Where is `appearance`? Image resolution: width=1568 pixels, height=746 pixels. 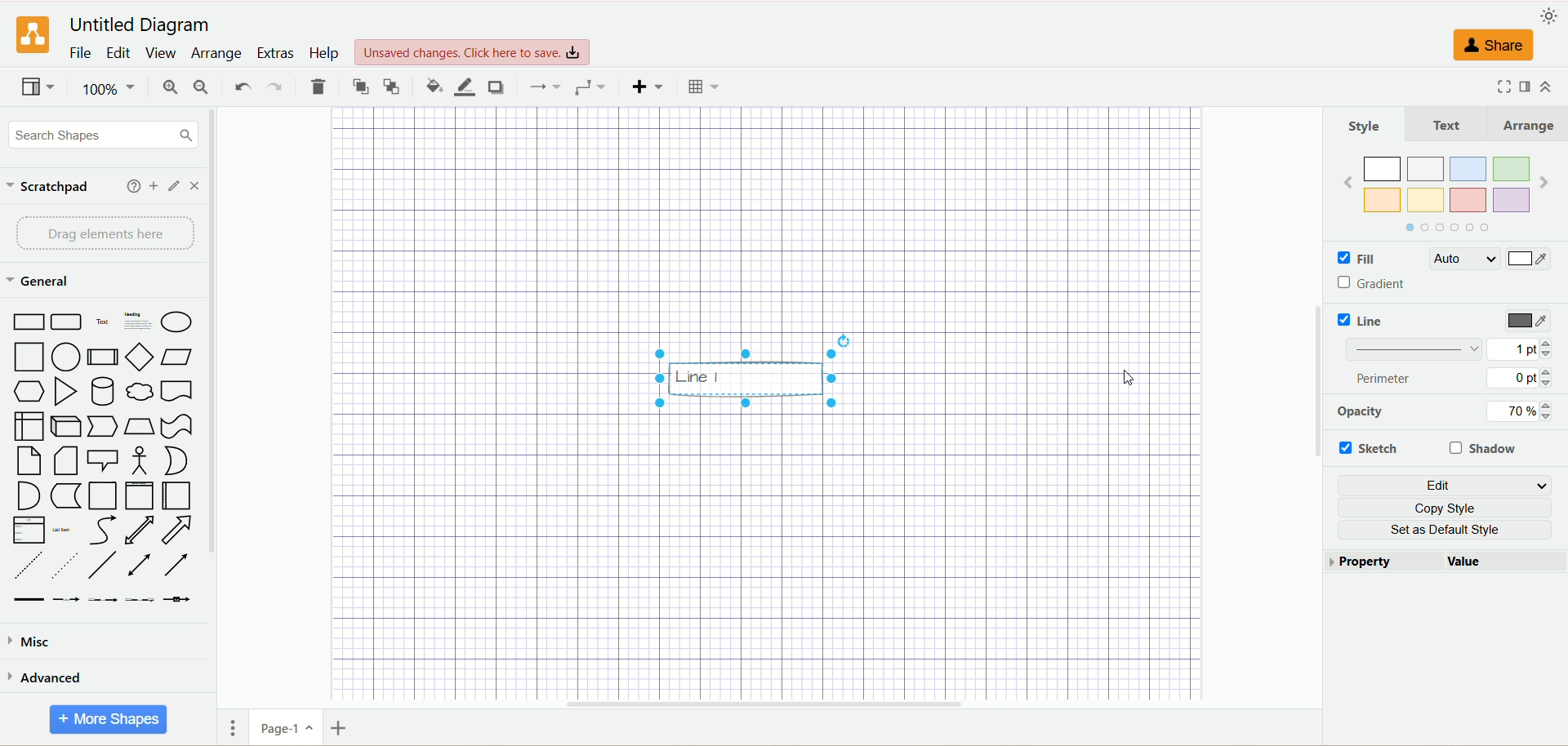 appearance is located at coordinates (1548, 16).